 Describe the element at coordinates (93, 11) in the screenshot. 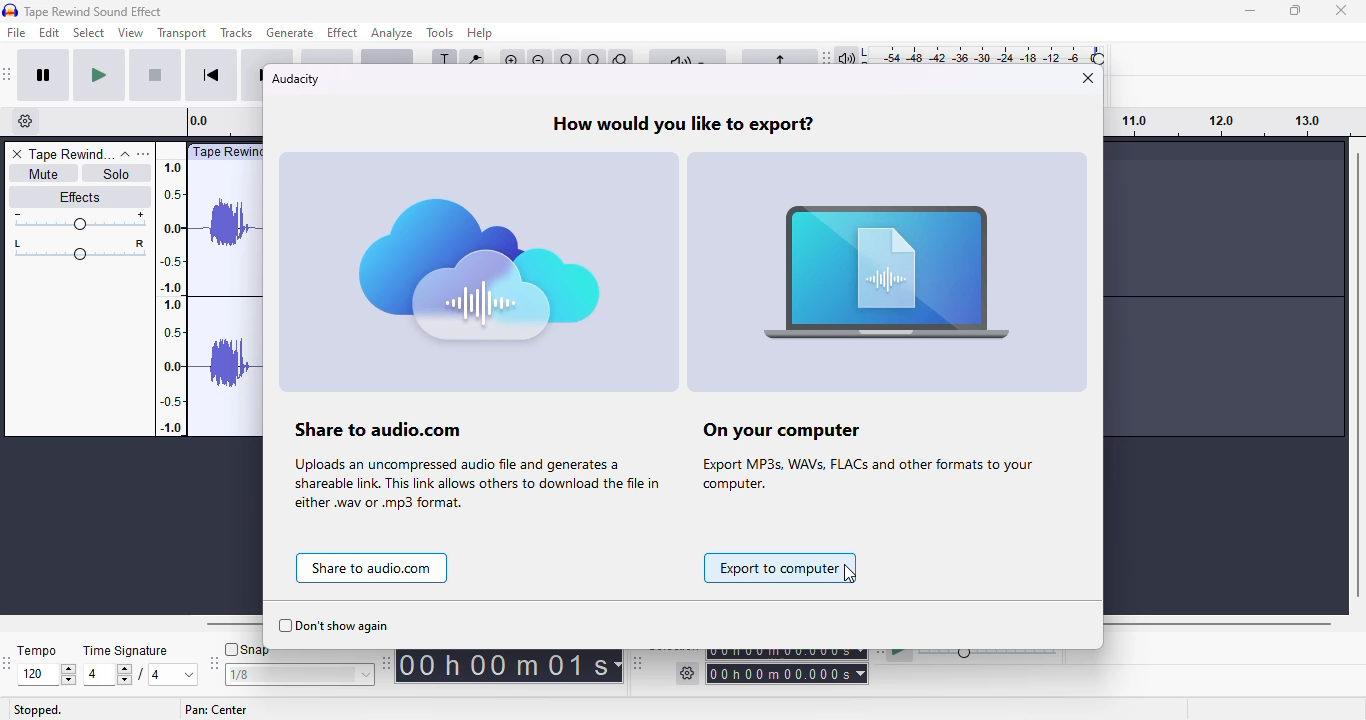

I see `title` at that location.